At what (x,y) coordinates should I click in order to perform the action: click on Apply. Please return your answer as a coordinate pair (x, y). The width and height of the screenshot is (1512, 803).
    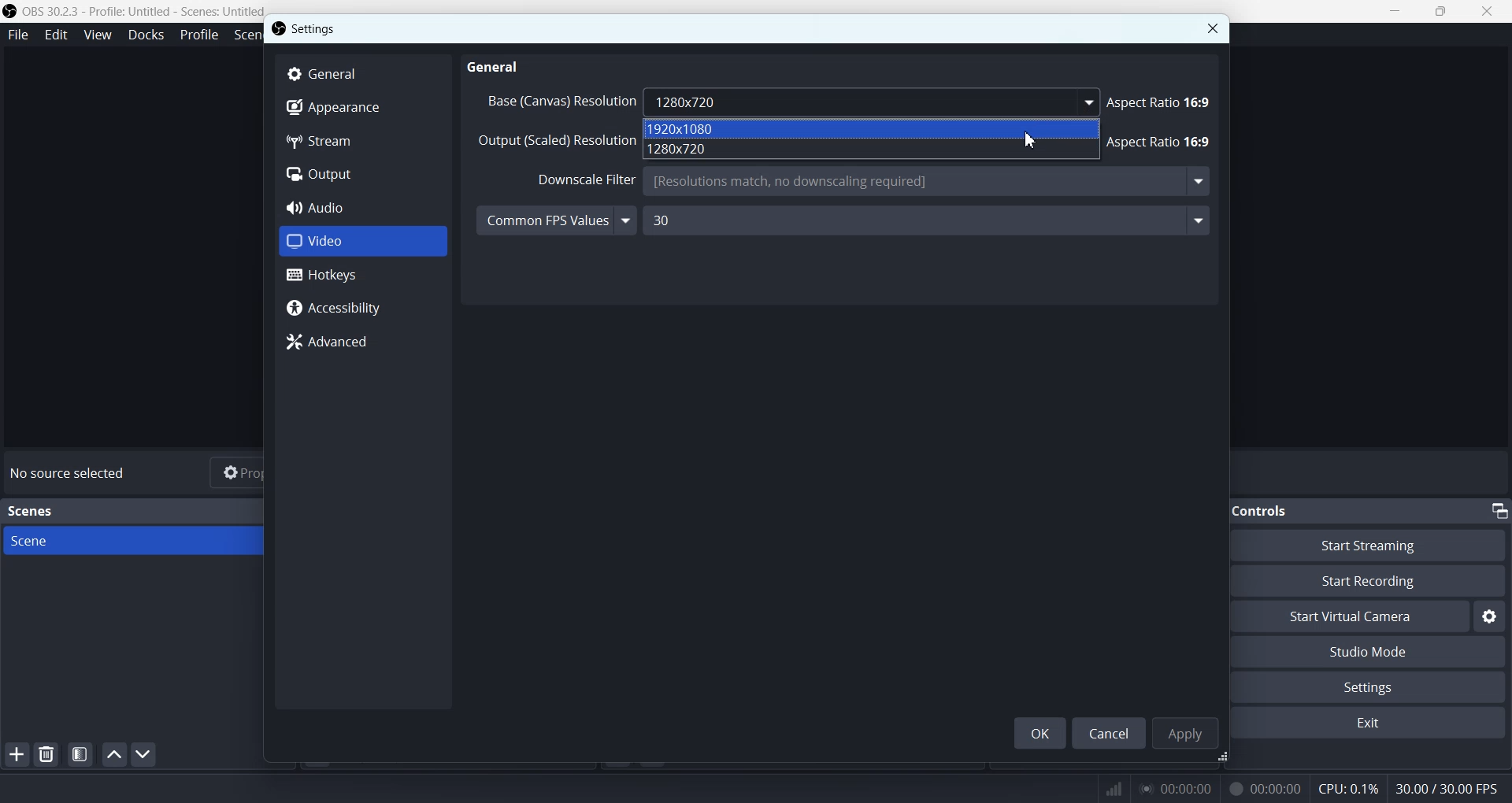
    Looking at the image, I should click on (1184, 732).